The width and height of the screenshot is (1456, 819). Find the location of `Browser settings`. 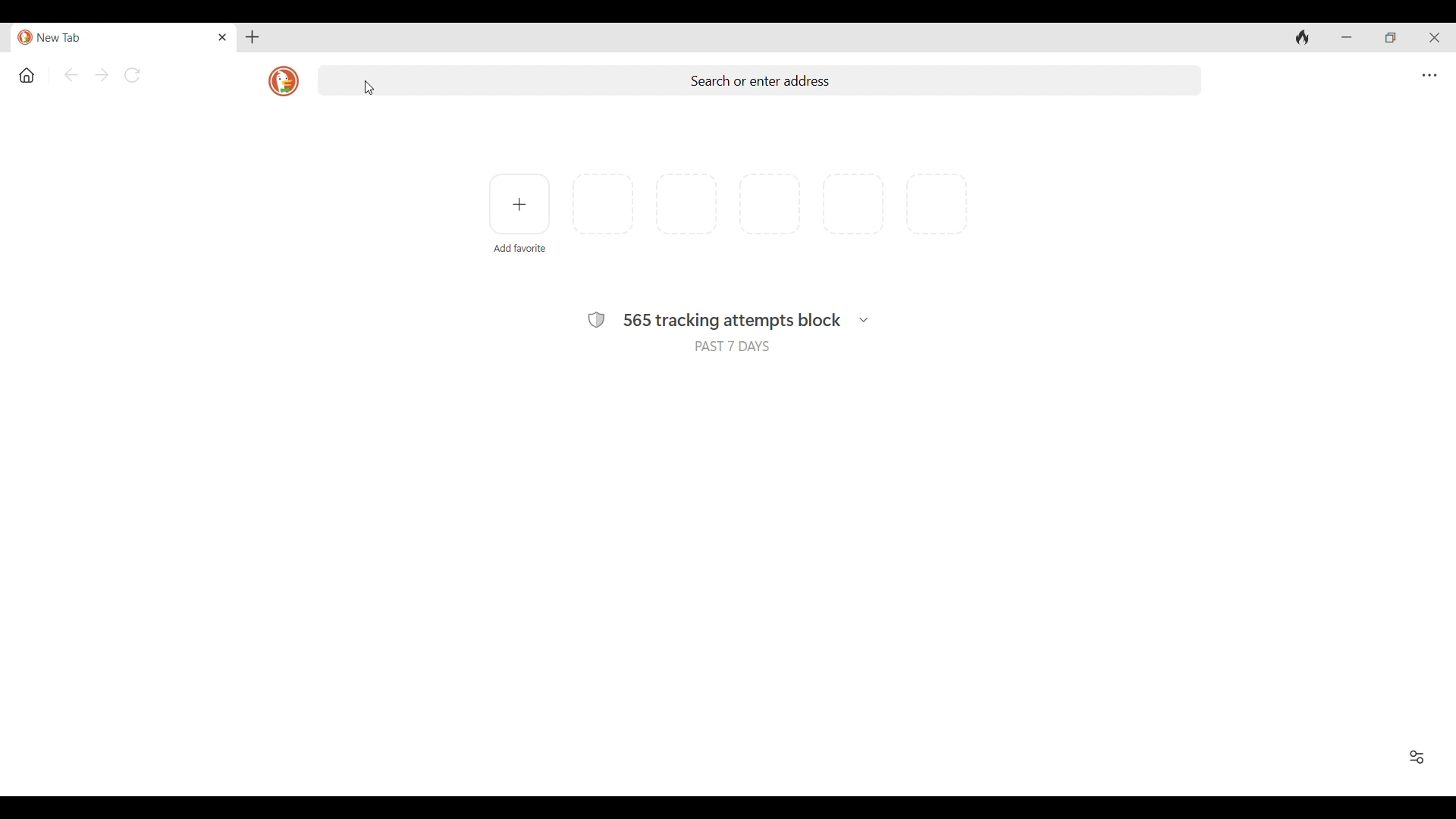

Browser settings is located at coordinates (1429, 76).